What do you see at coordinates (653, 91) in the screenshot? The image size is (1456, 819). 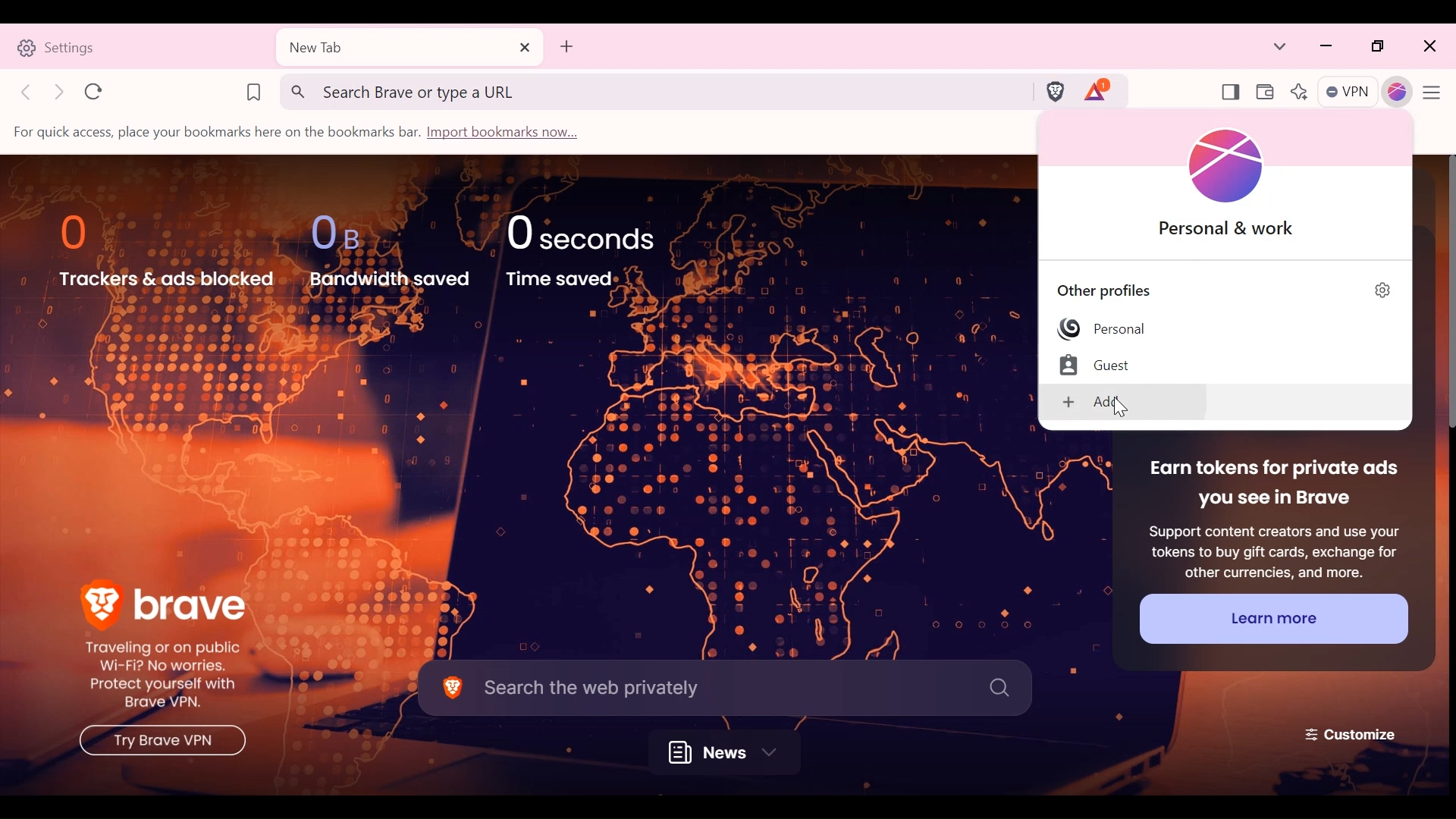 I see `Address bar` at bounding box center [653, 91].